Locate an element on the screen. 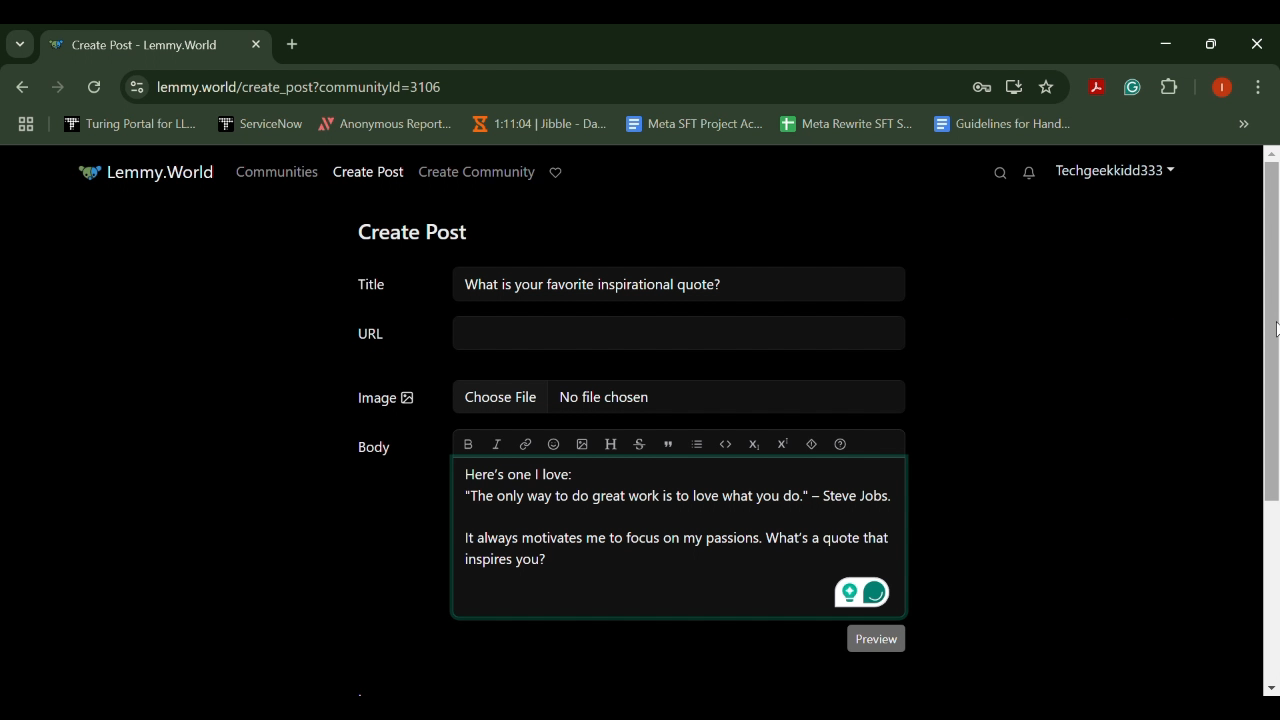 This screenshot has height=720, width=1280. Meta Rewrite SFT S... is located at coordinates (847, 125).